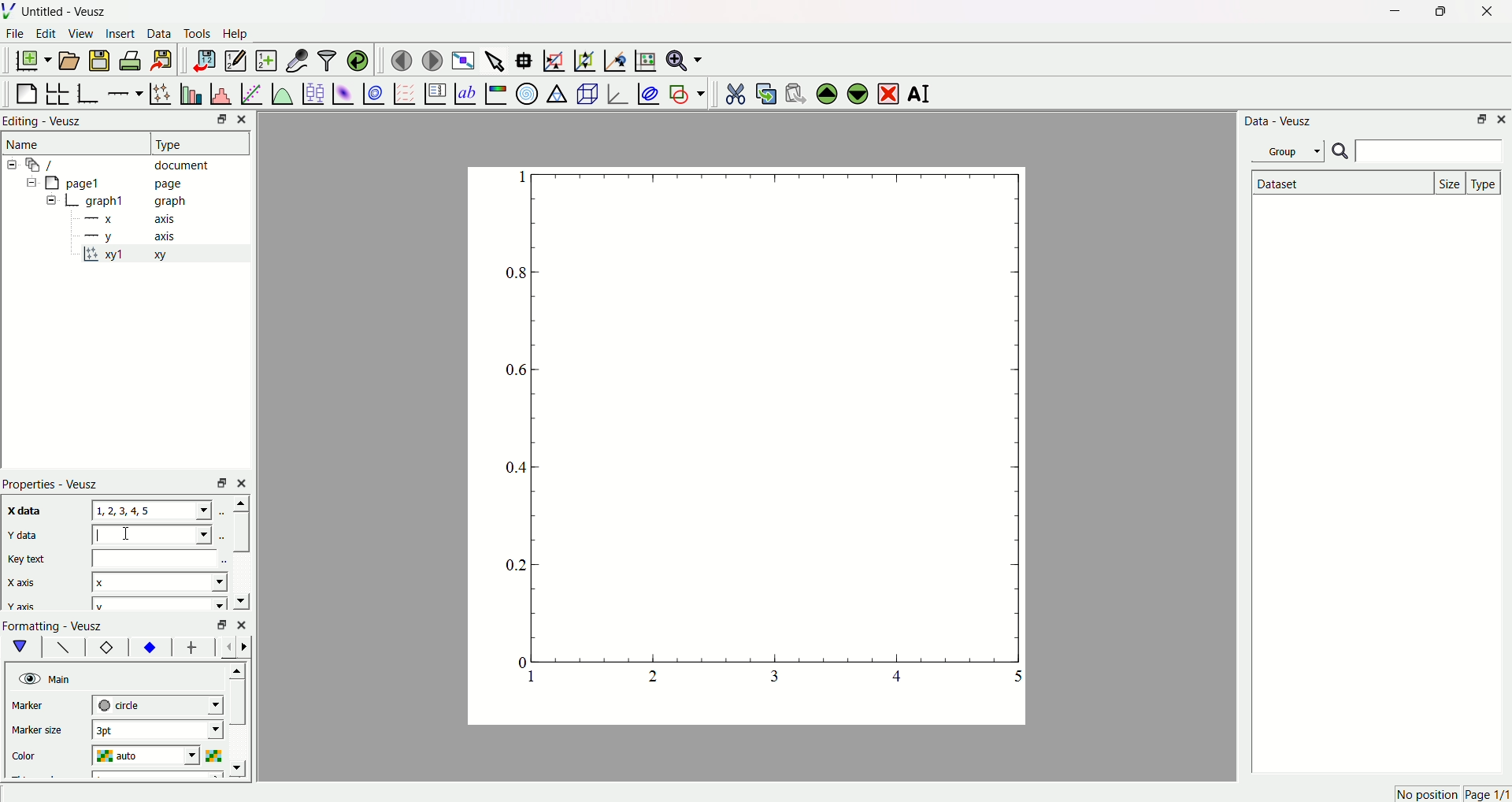 The width and height of the screenshot is (1512, 802). Describe the element at coordinates (28, 184) in the screenshot. I see `collapse` at that location.